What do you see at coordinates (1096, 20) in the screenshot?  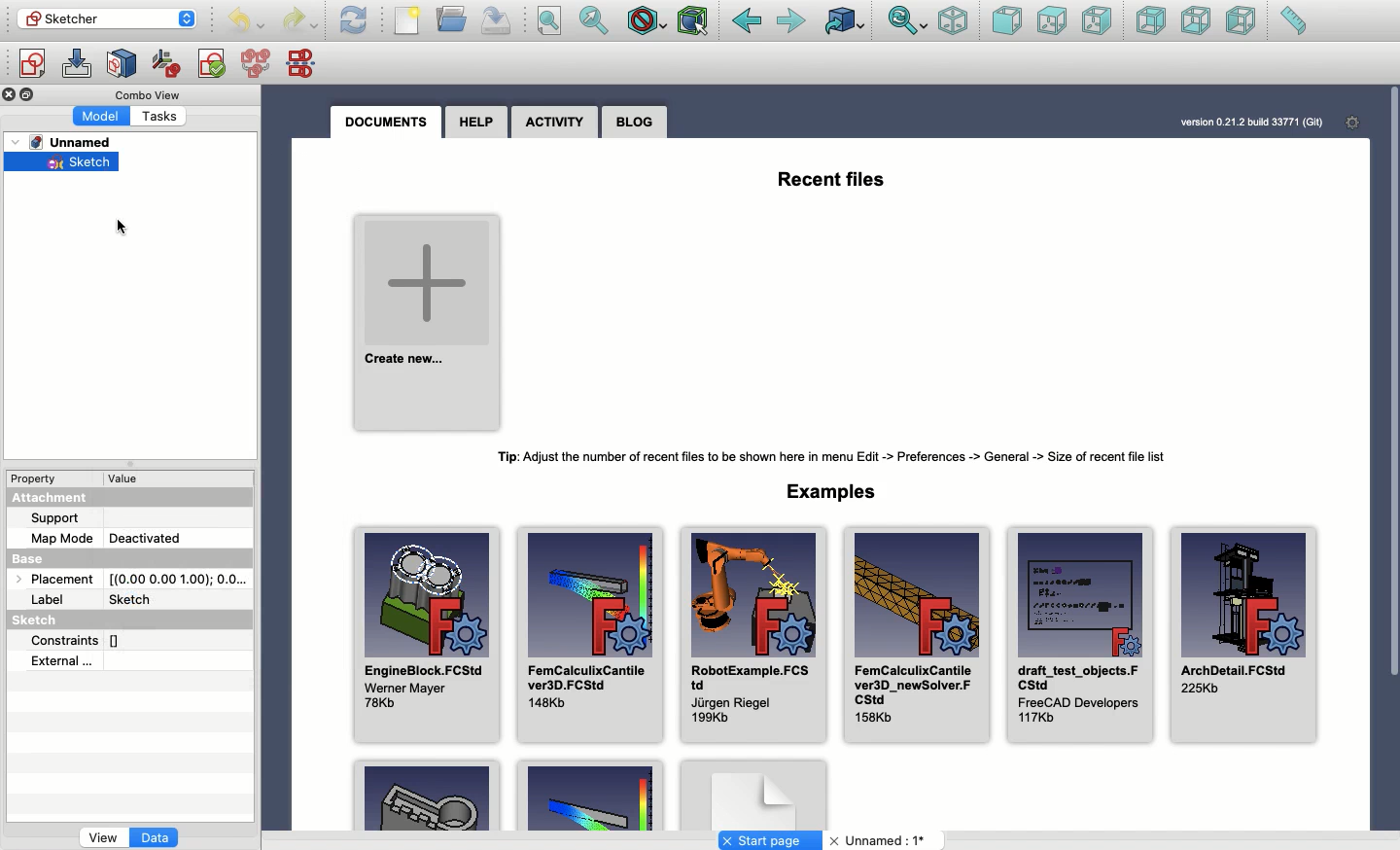 I see `Right` at bounding box center [1096, 20].